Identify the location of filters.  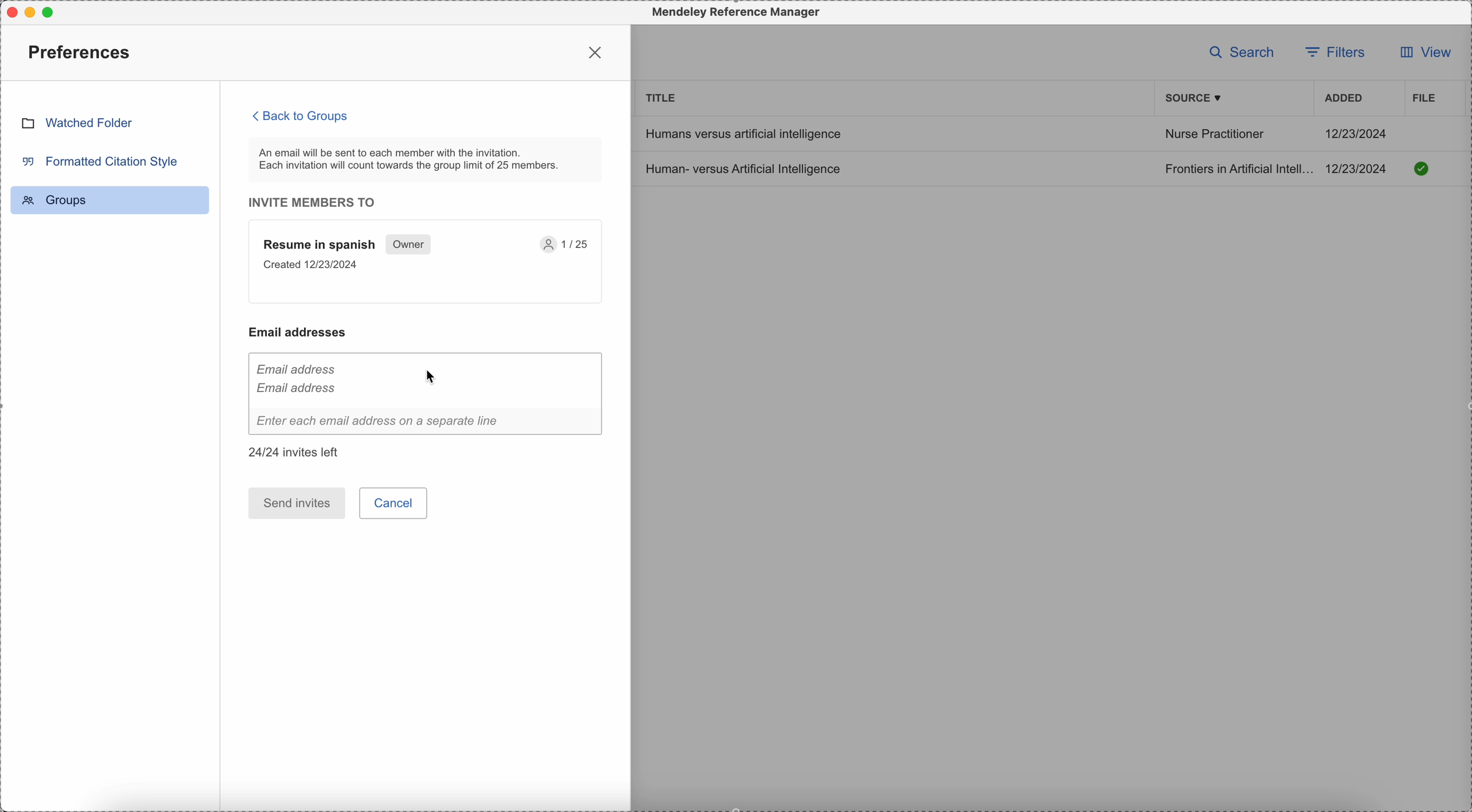
(1338, 51).